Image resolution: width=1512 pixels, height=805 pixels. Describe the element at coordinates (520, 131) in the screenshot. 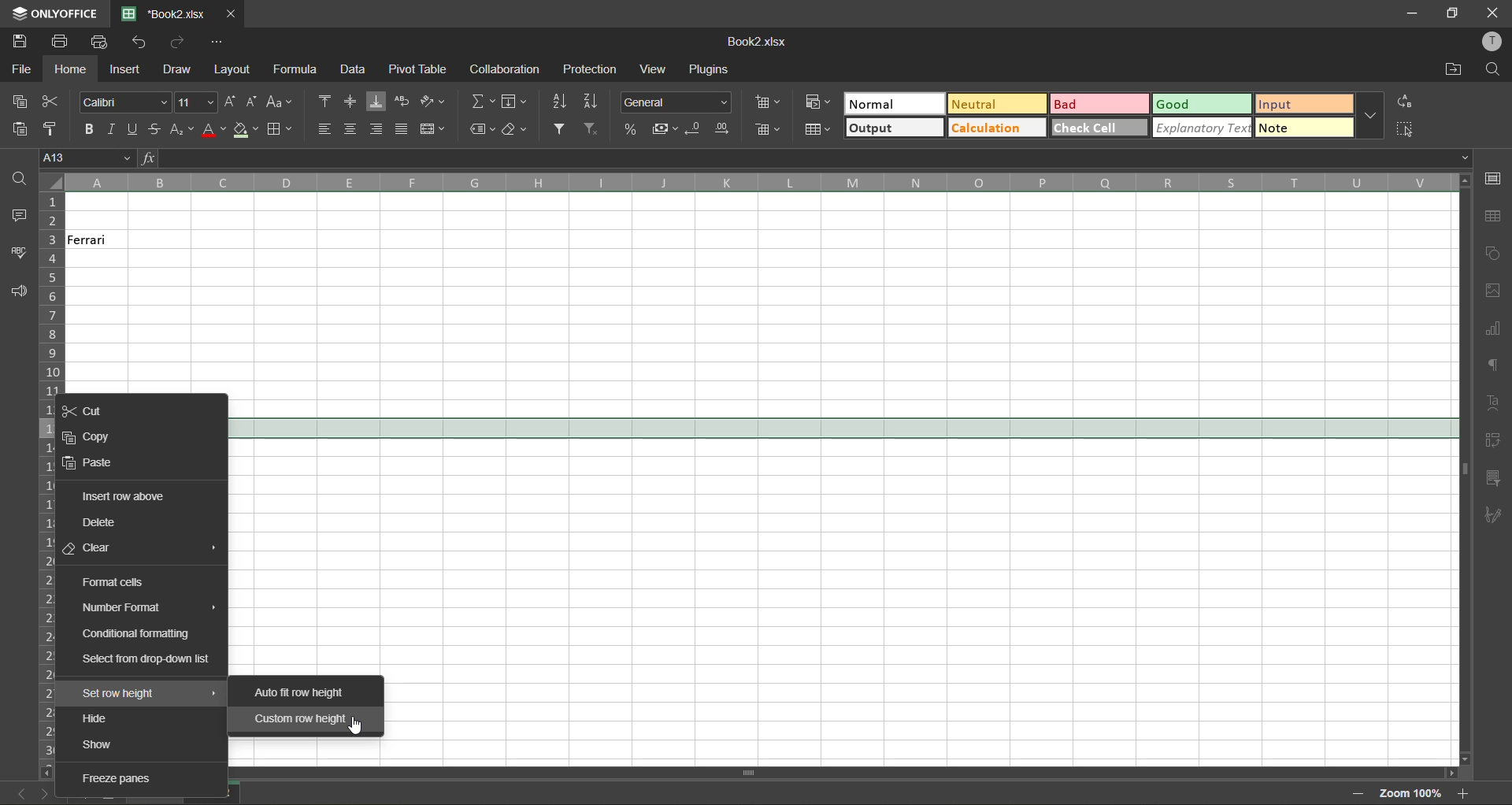

I see `clear` at that location.